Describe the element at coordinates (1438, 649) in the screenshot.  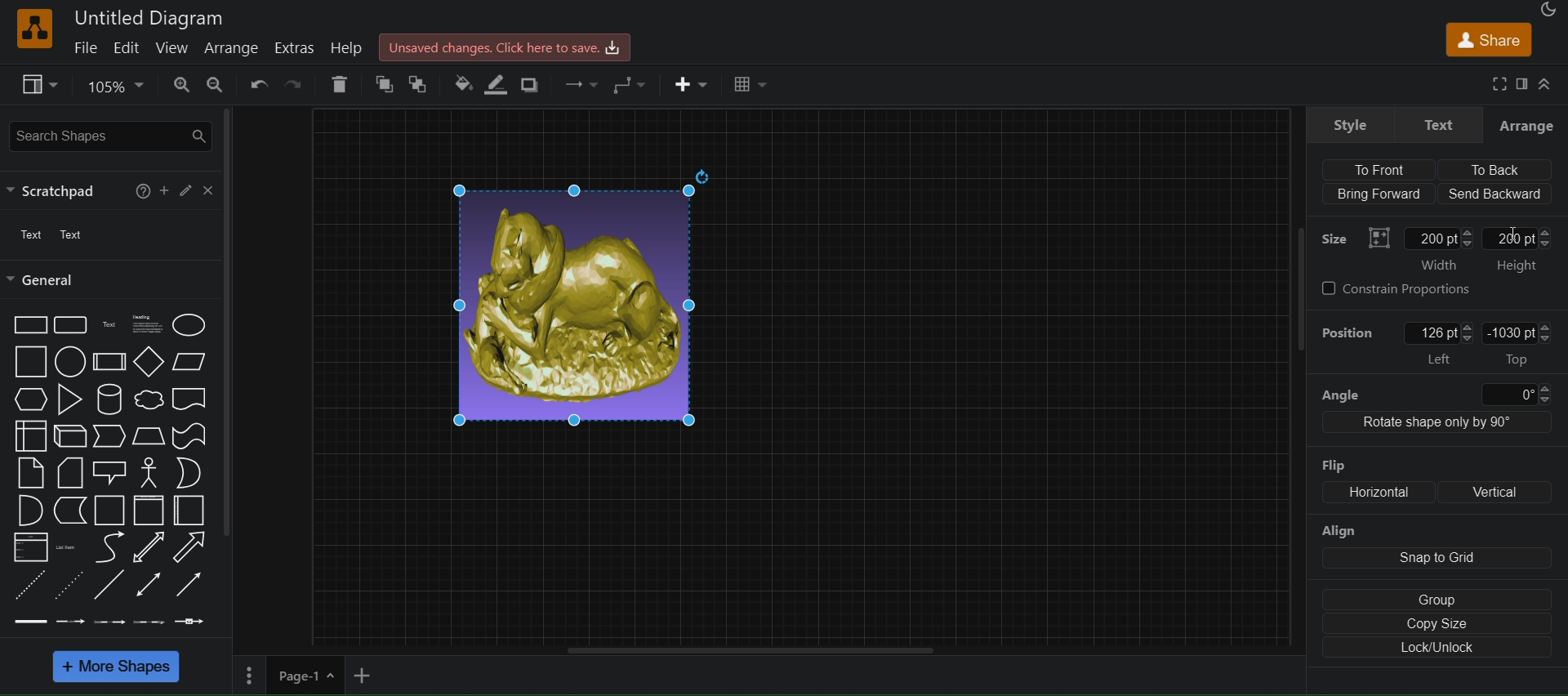
I see `Lock/unlock` at that location.